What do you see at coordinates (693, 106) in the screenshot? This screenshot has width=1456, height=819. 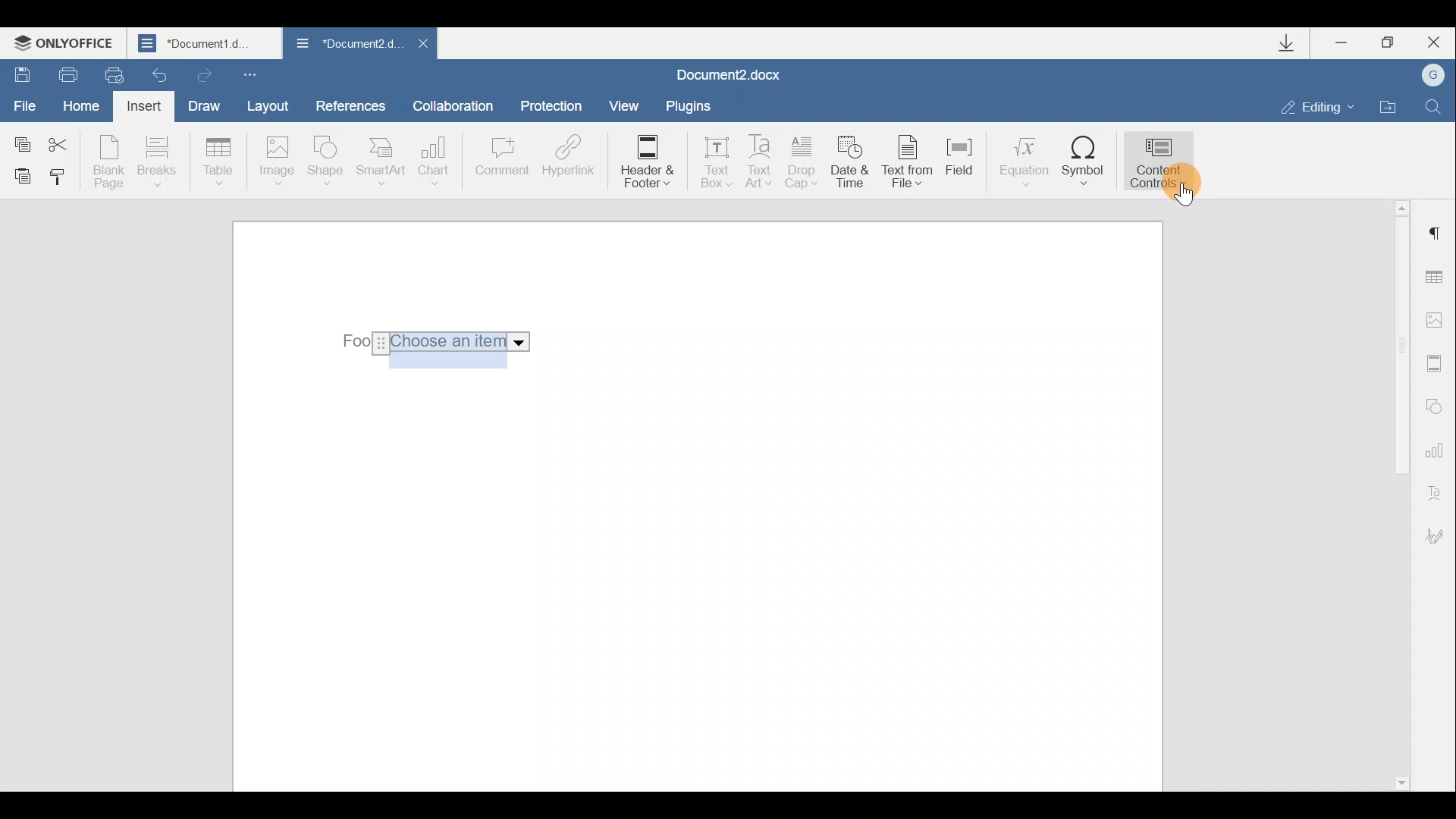 I see `Plugins` at bounding box center [693, 106].